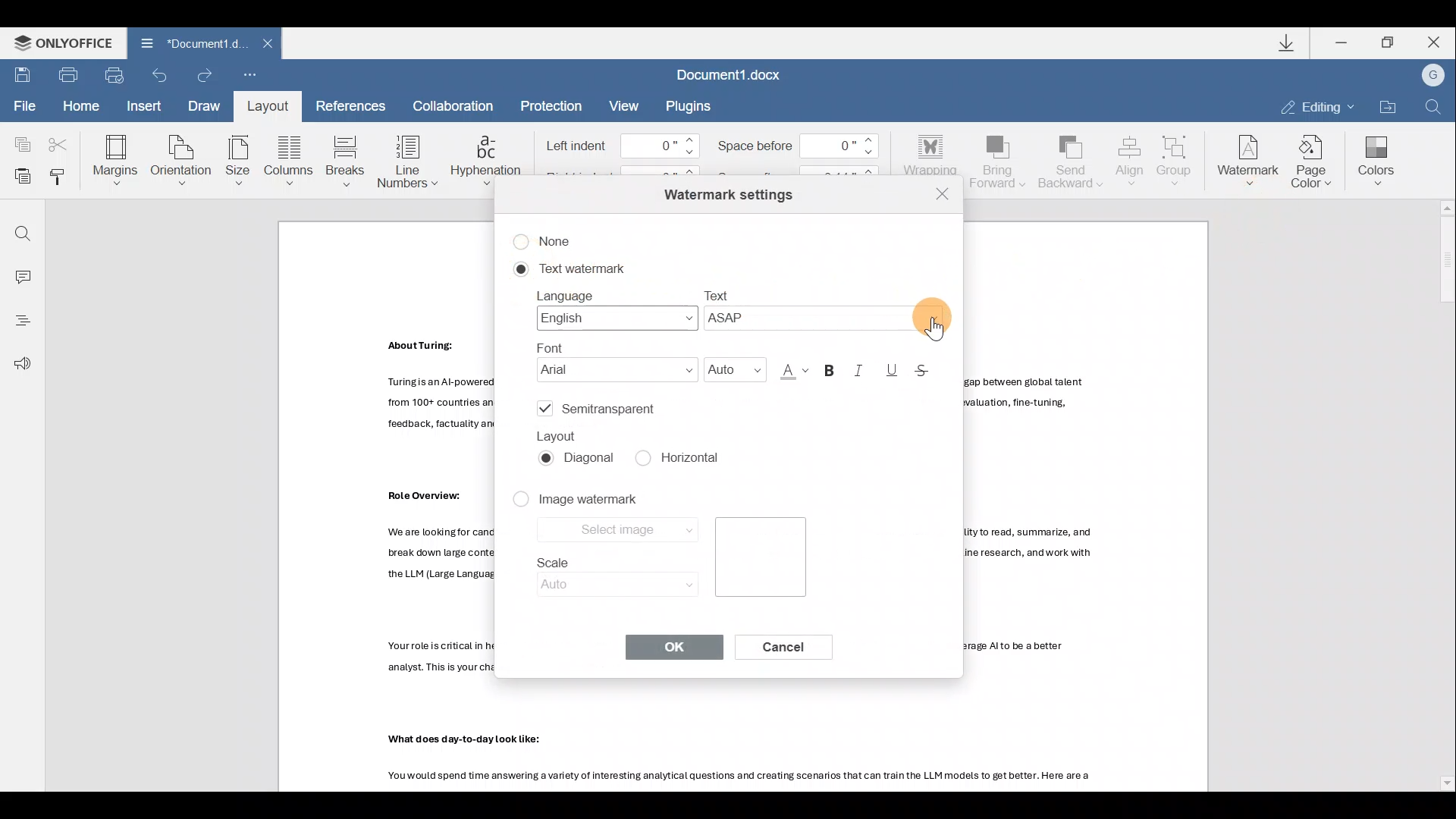 This screenshot has width=1456, height=819. I want to click on Orientation, so click(183, 158).